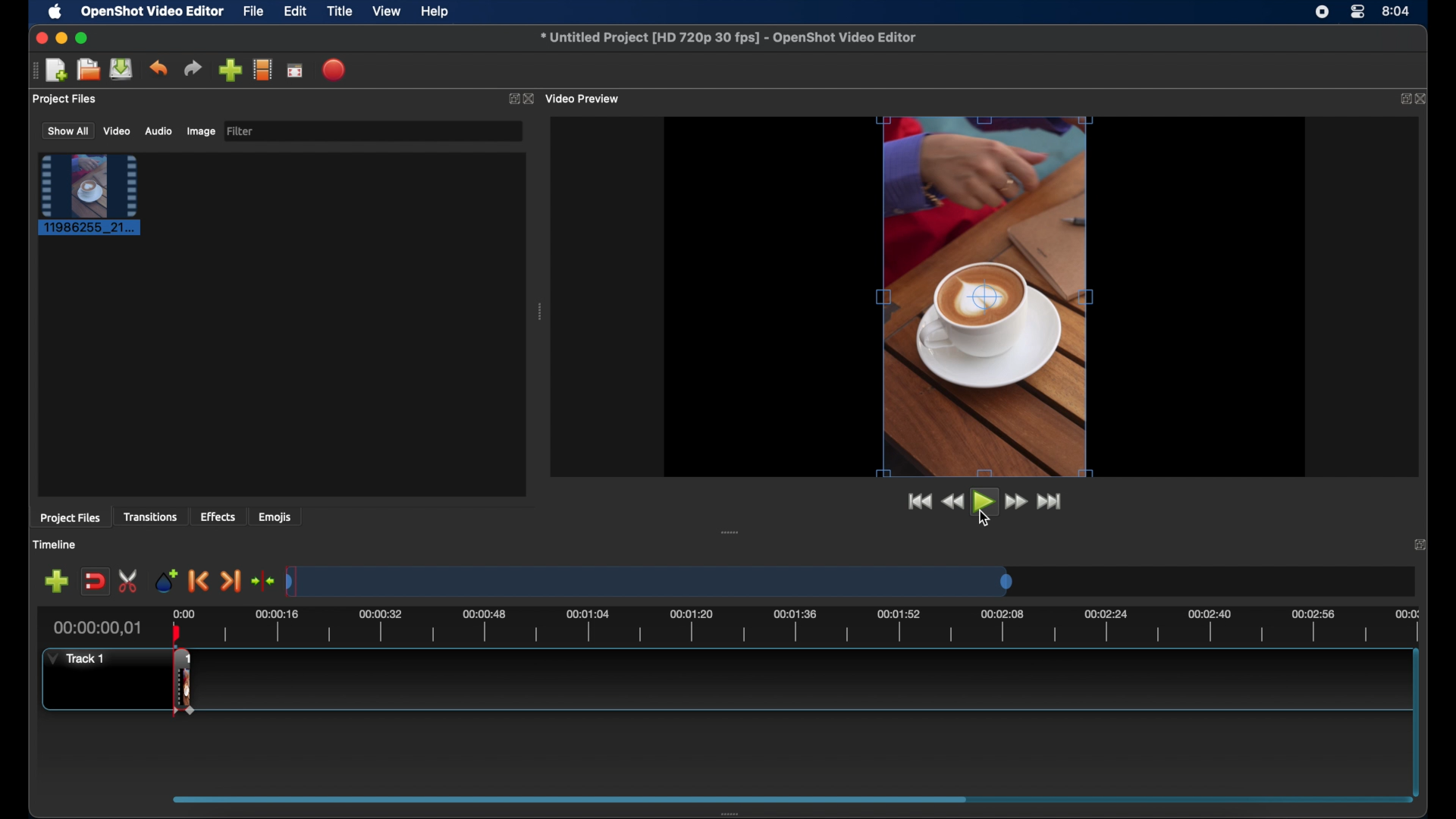 Image resolution: width=1456 pixels, height=819 pixels. I want to click on audio, so click(158, 130).